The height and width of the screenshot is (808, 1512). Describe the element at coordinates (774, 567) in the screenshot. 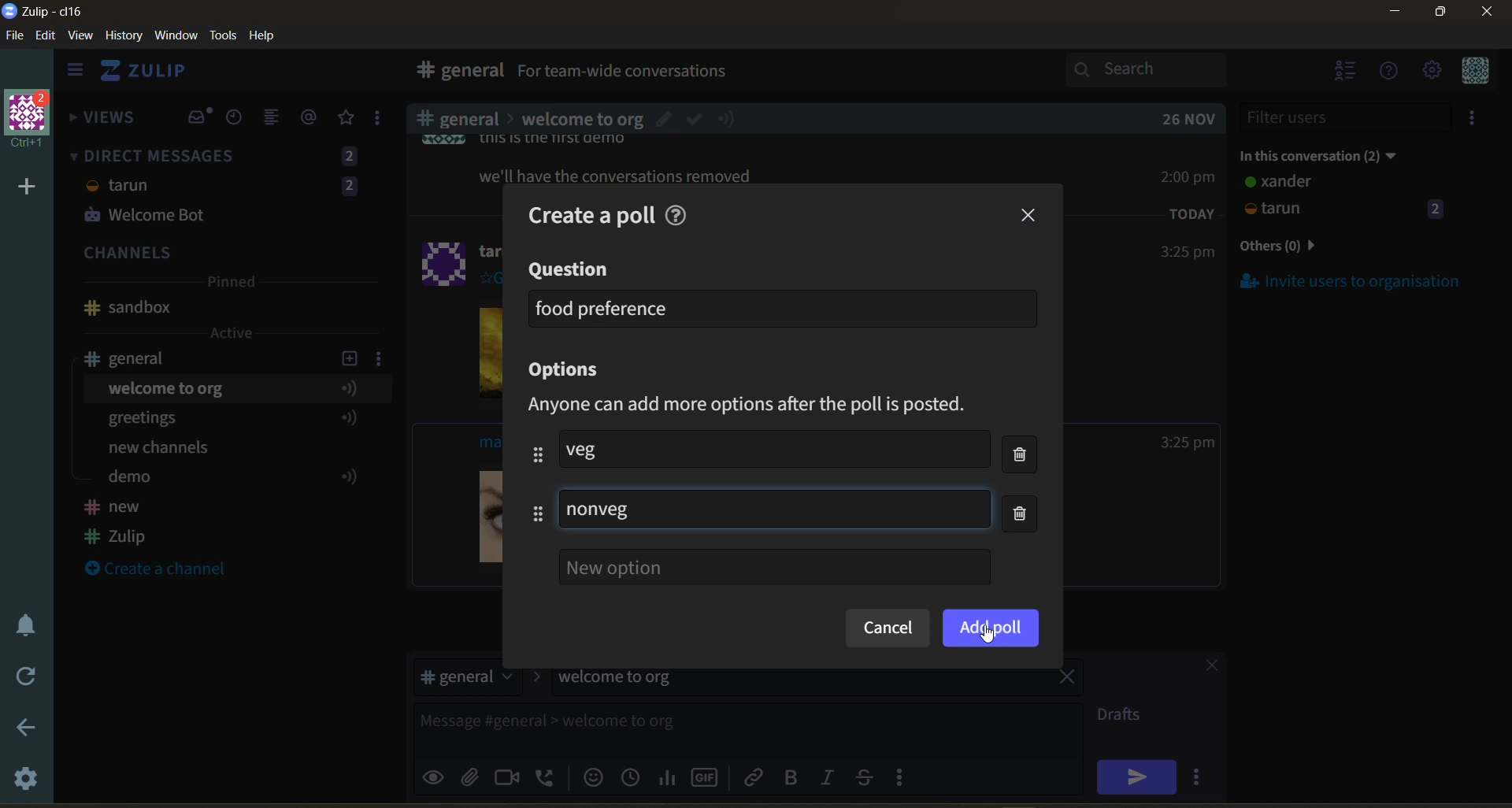

I see `new option` at that location.